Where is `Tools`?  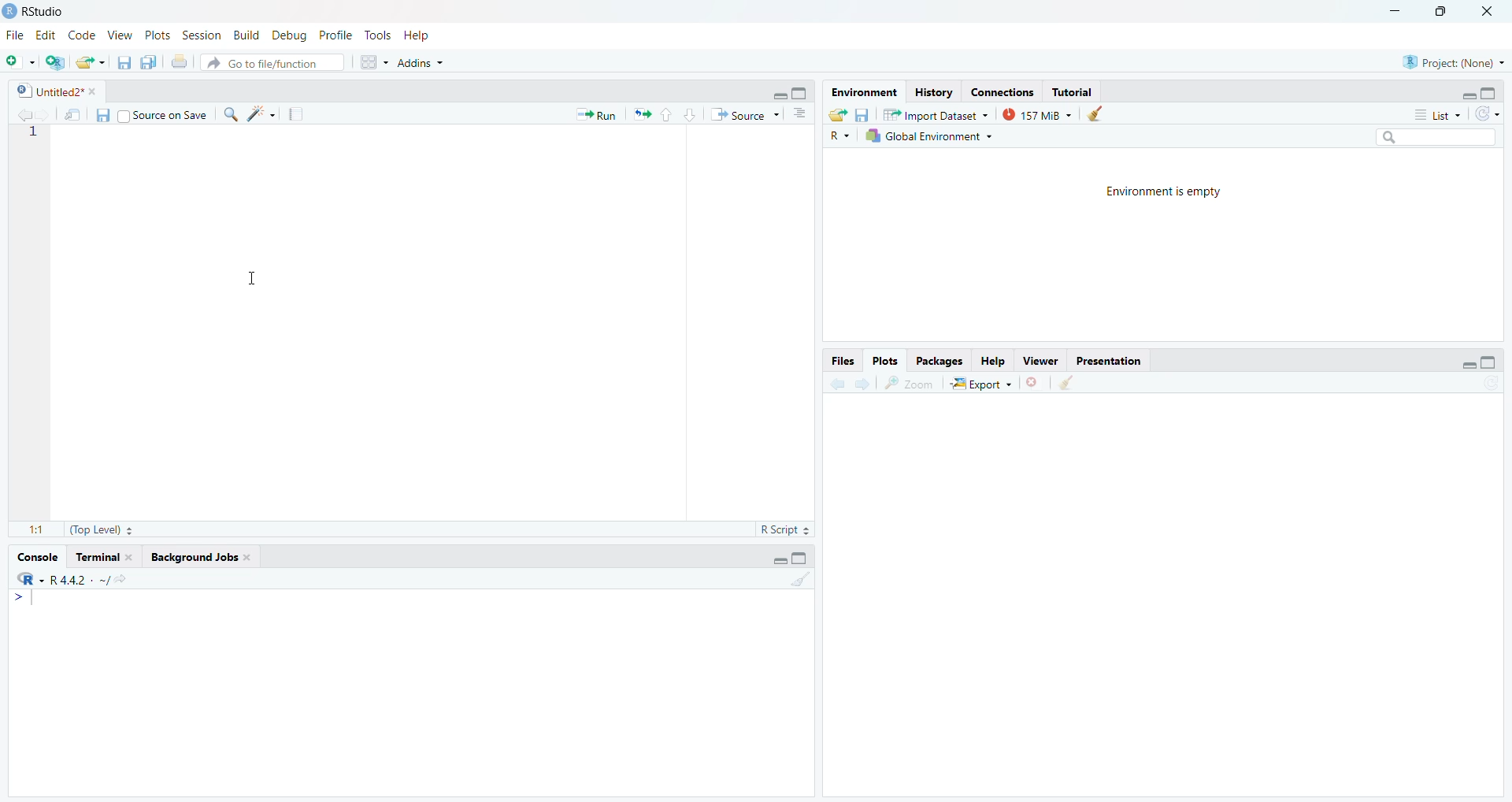 Tools is located at coordinates (378, 35).